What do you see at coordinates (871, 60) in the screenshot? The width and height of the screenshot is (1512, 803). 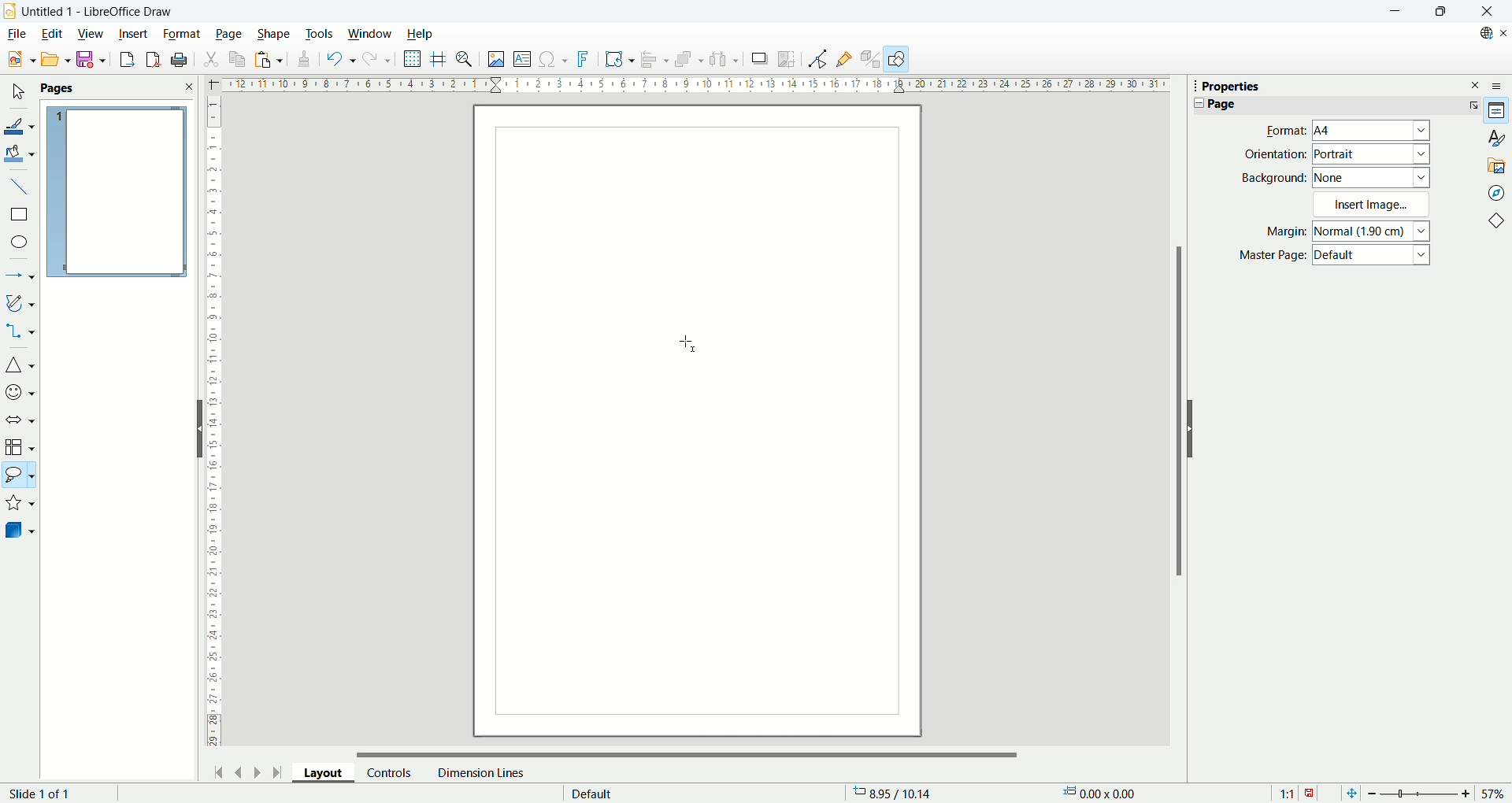 I see `toggle extrusion` at bounding box center [871, 60].